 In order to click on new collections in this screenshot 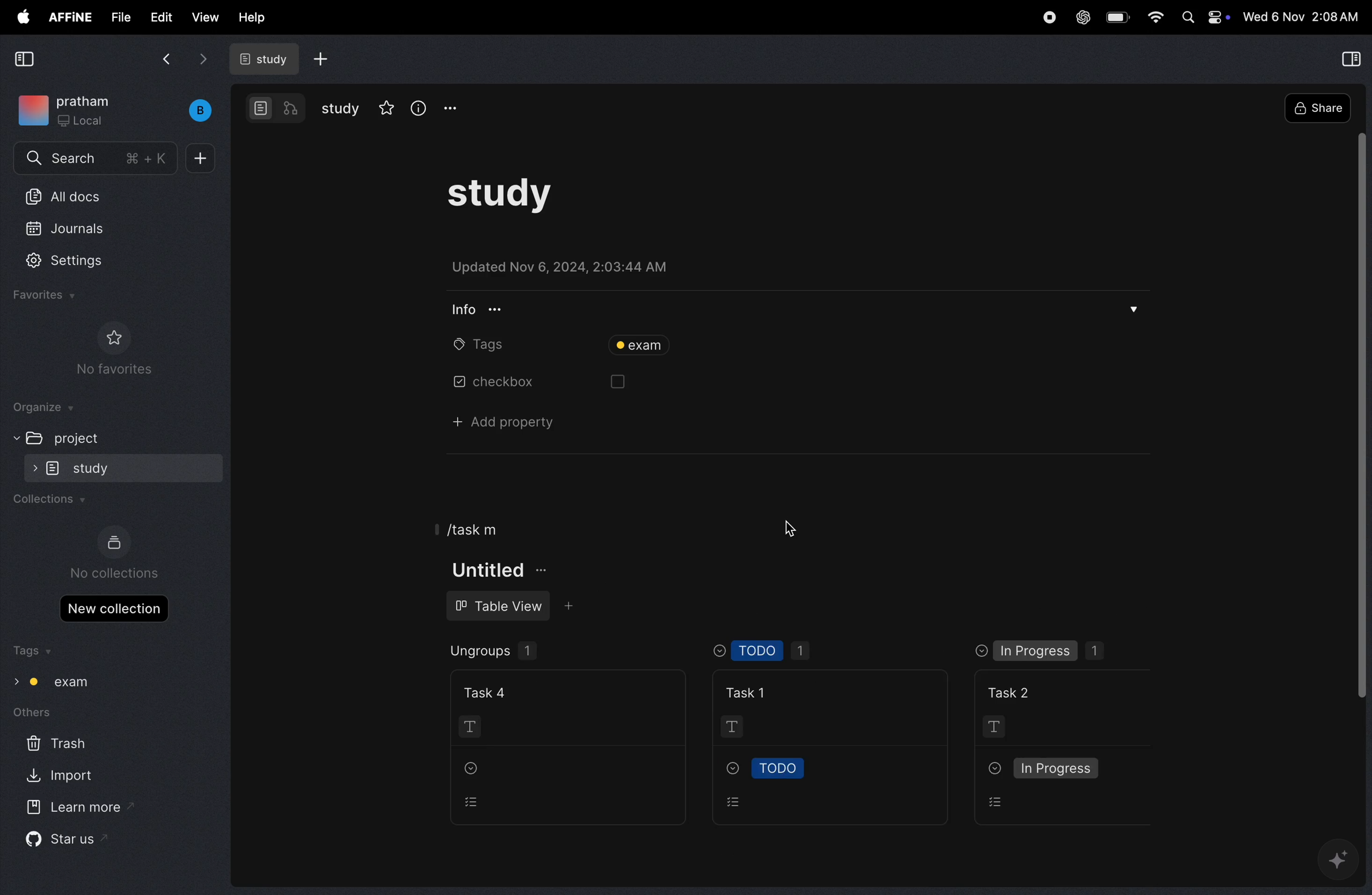, I will do `click(112, 608)`.